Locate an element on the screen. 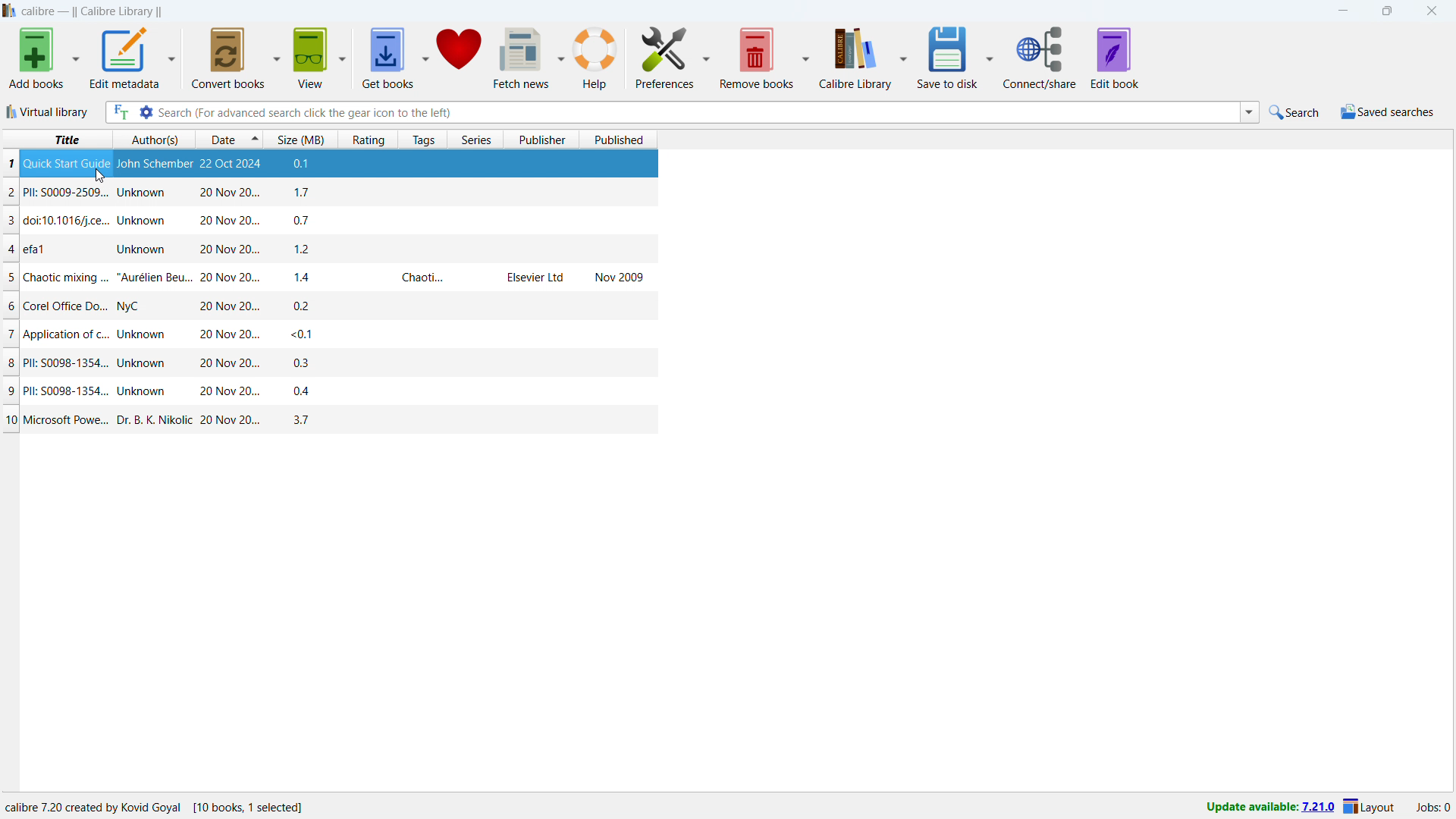 The height and width of the screenshot is (819, 1456). one book entry is located at coordinates (326, 277).